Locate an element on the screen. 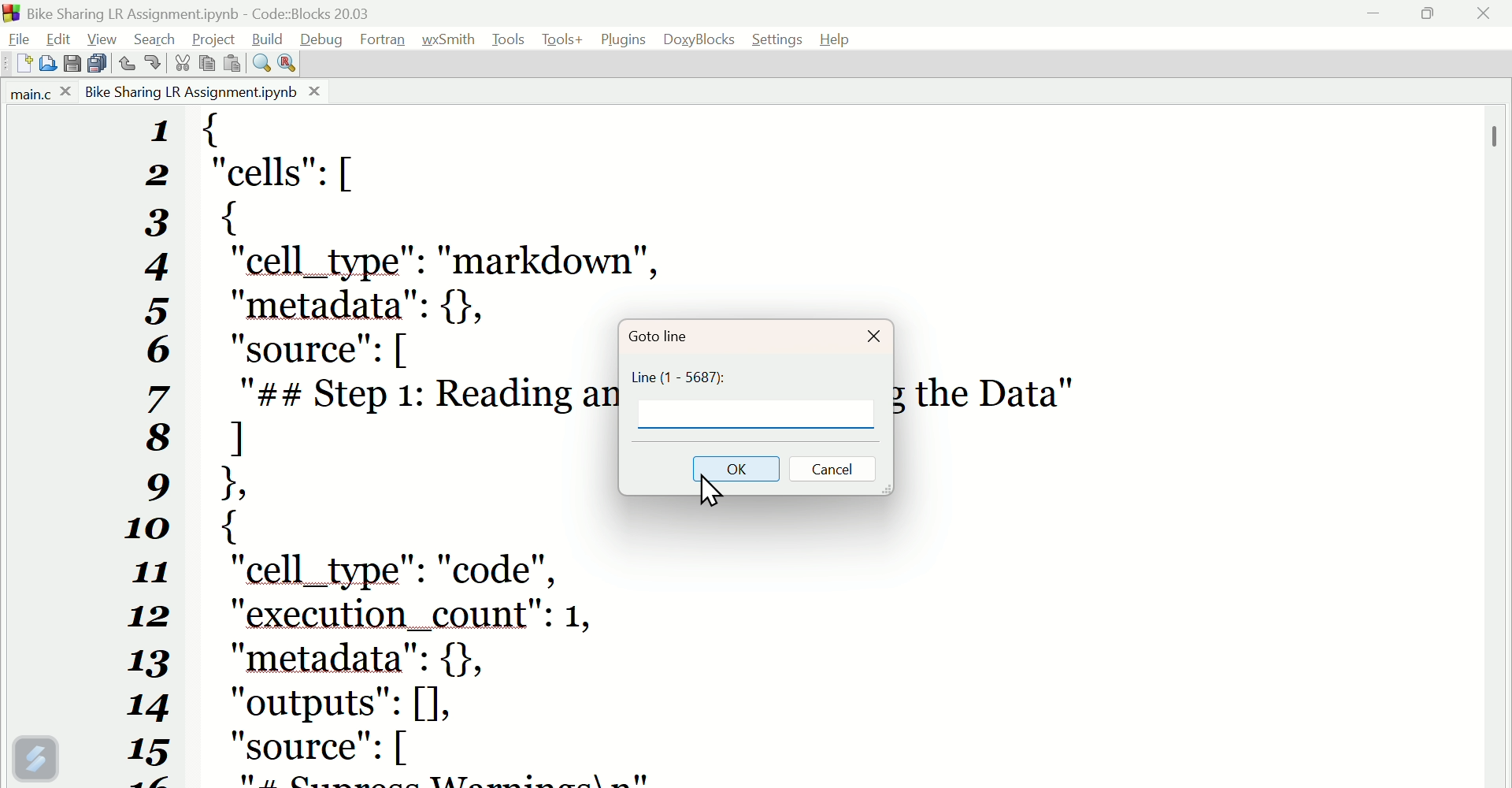  Save is located at coordinates (70, 64).